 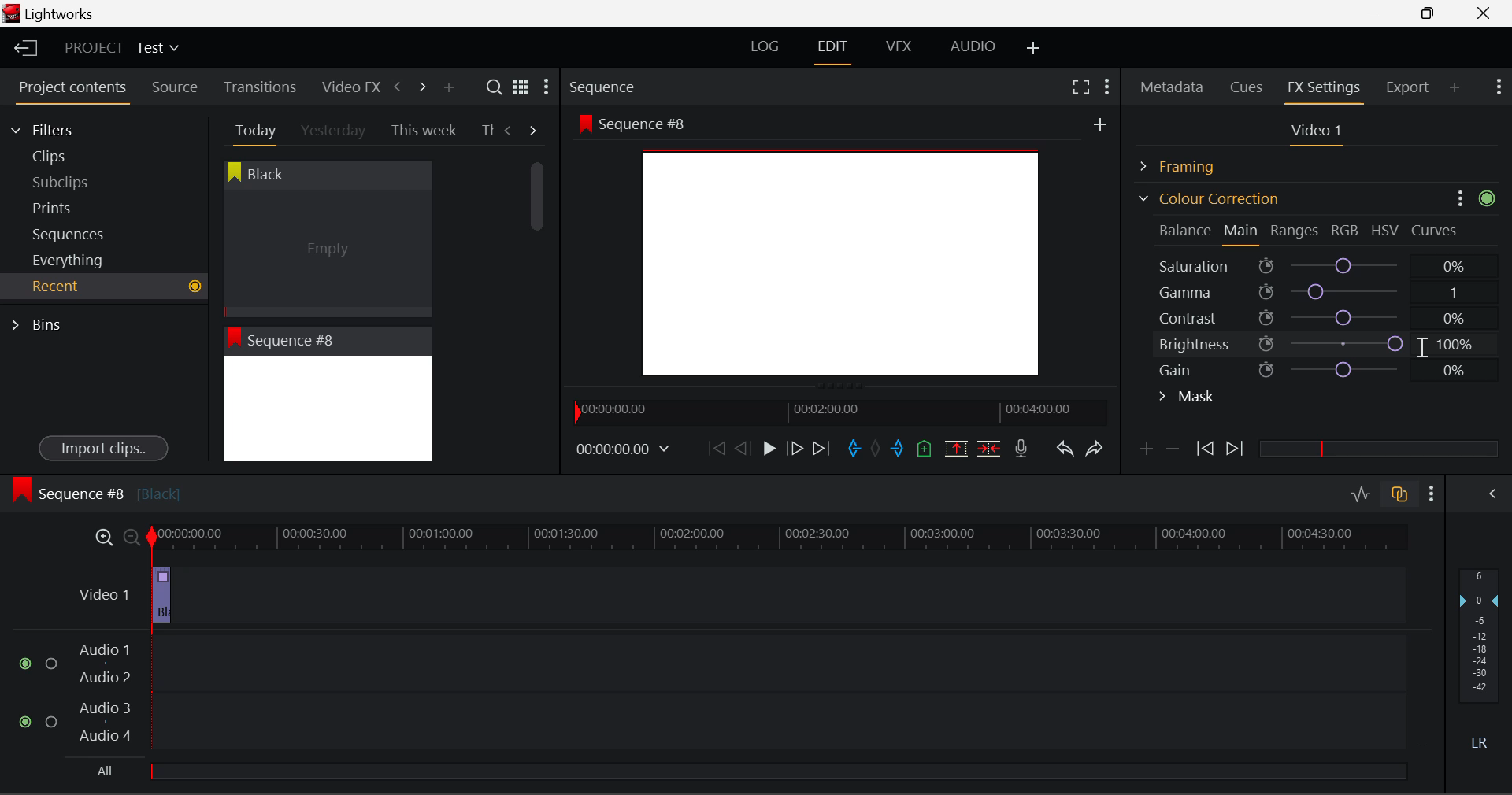 What do you see at coordinates (624, 450) in the screenshot?
I see `Frame Time` at bounding box center [624, 450].